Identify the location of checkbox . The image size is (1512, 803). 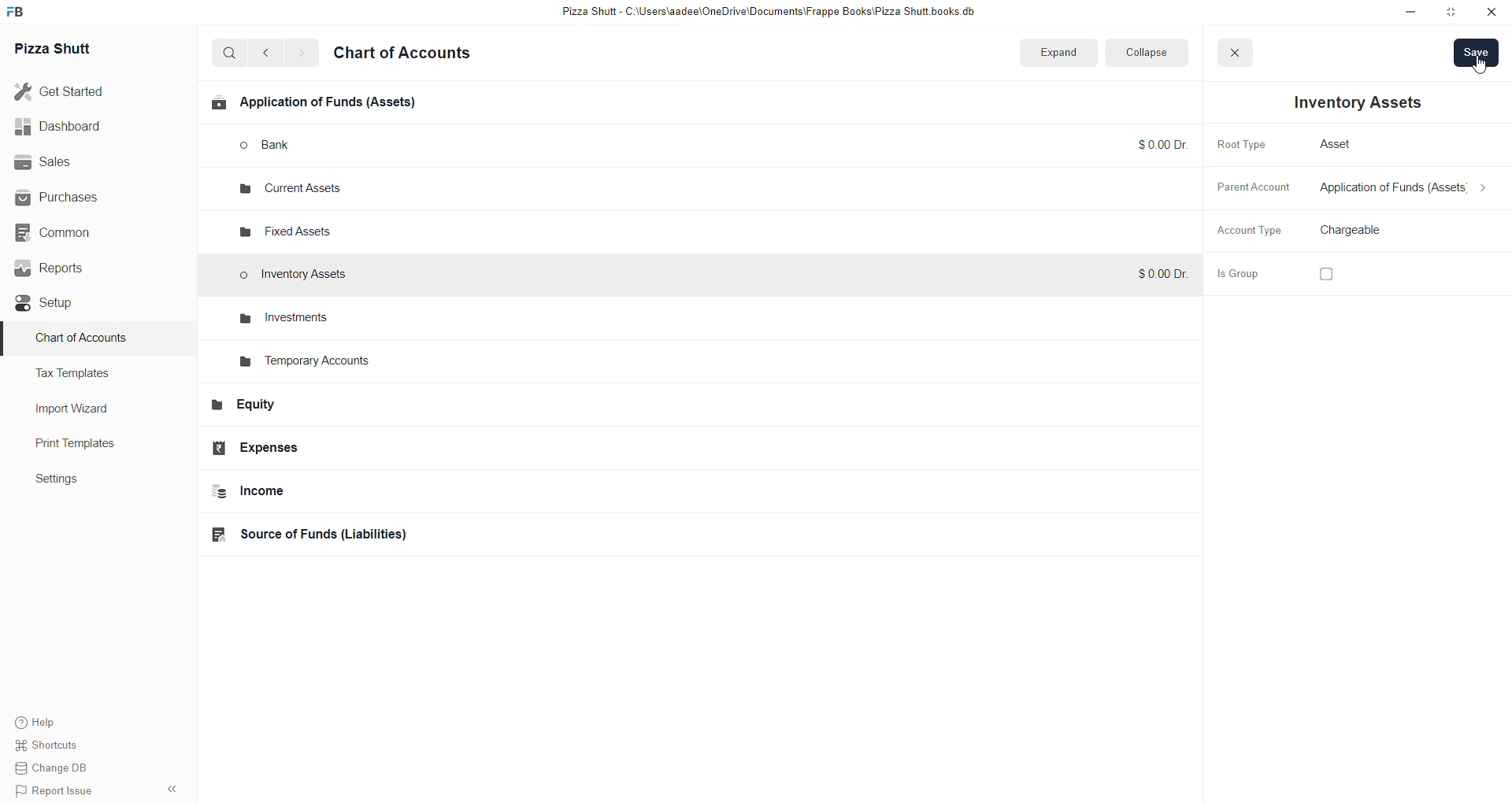
(1327, 274).